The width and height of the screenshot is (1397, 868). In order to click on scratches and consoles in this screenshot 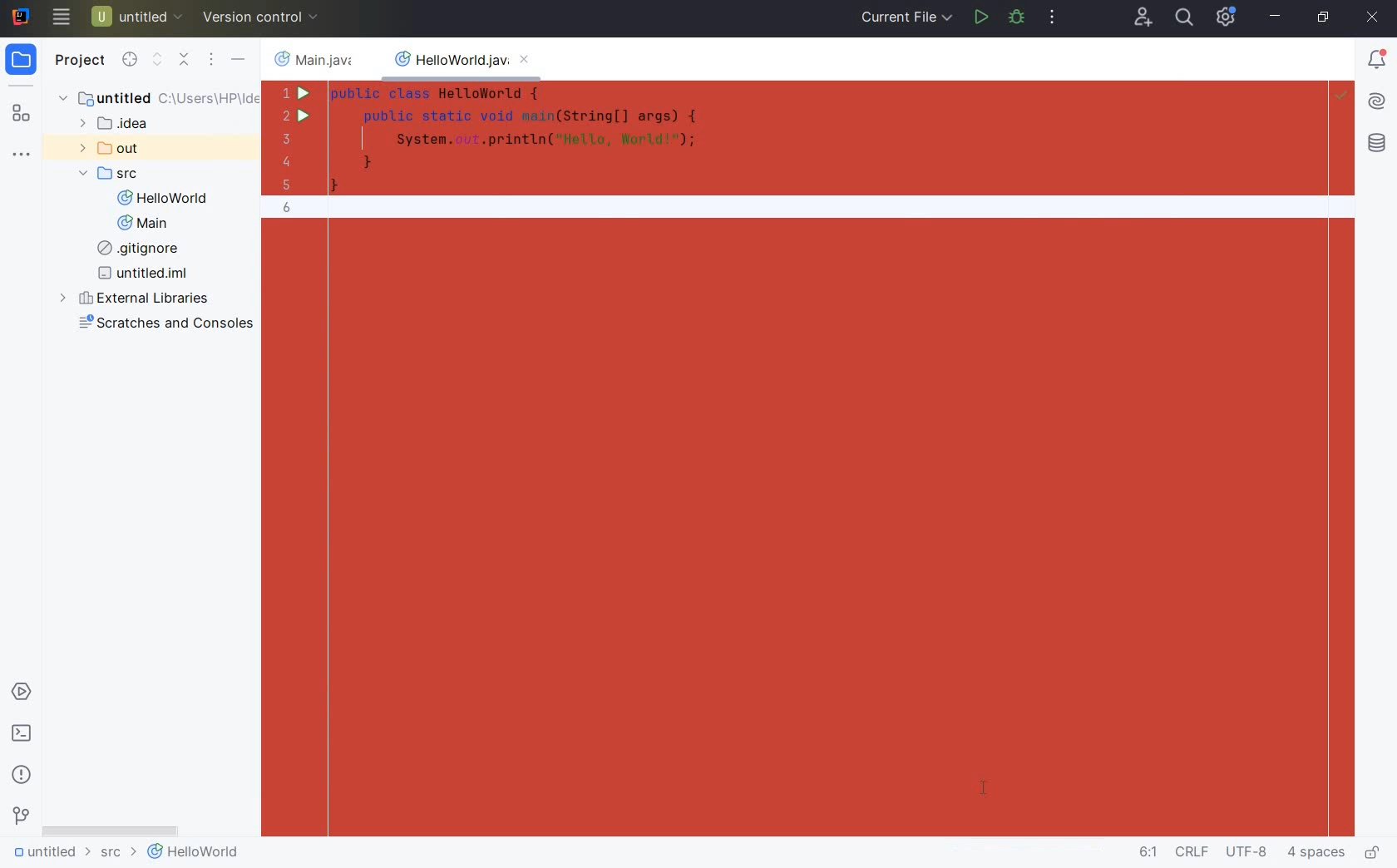, I will do `click(162, 326)`.